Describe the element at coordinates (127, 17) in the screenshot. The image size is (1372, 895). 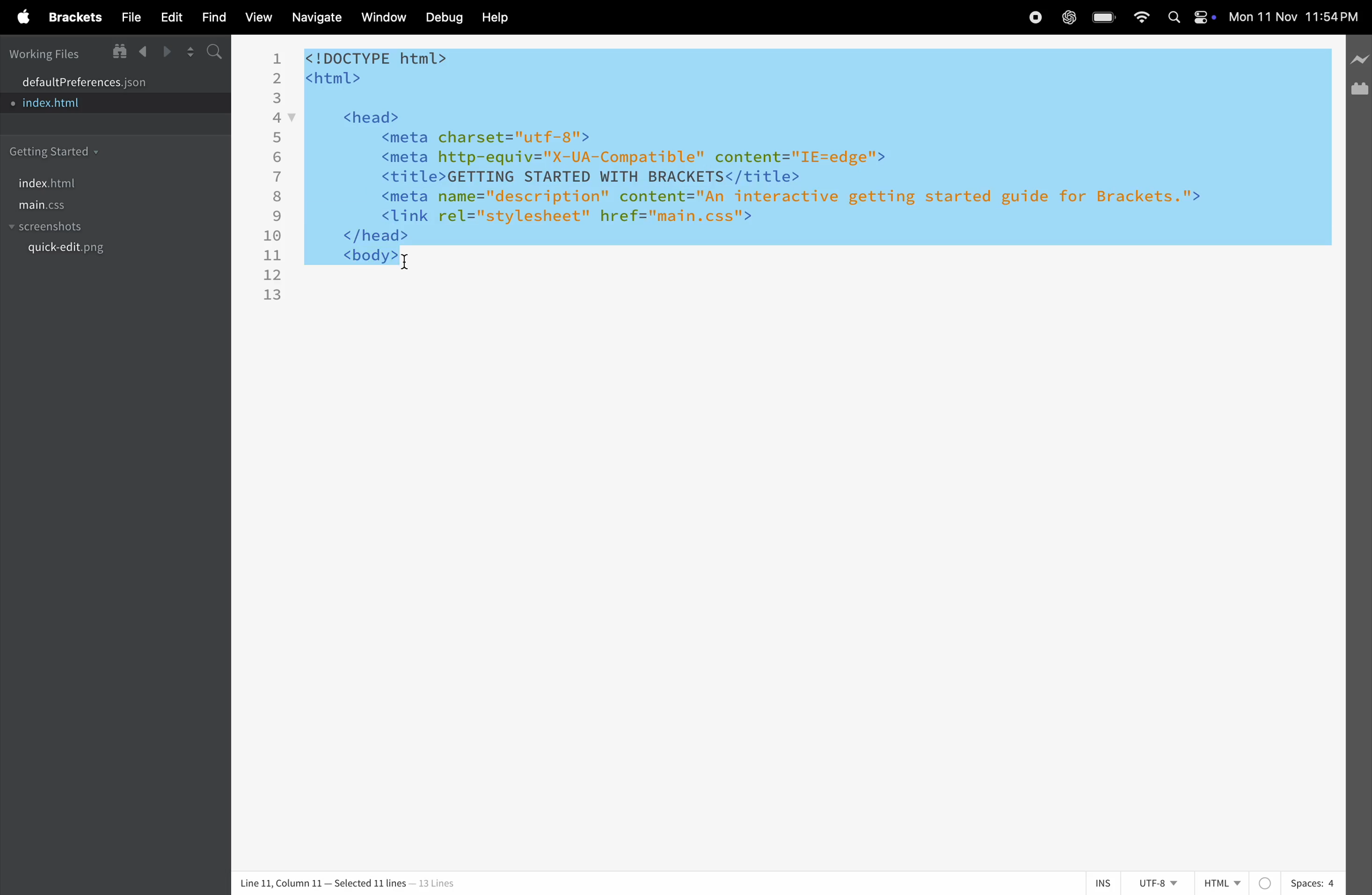
I see `file` at that location.